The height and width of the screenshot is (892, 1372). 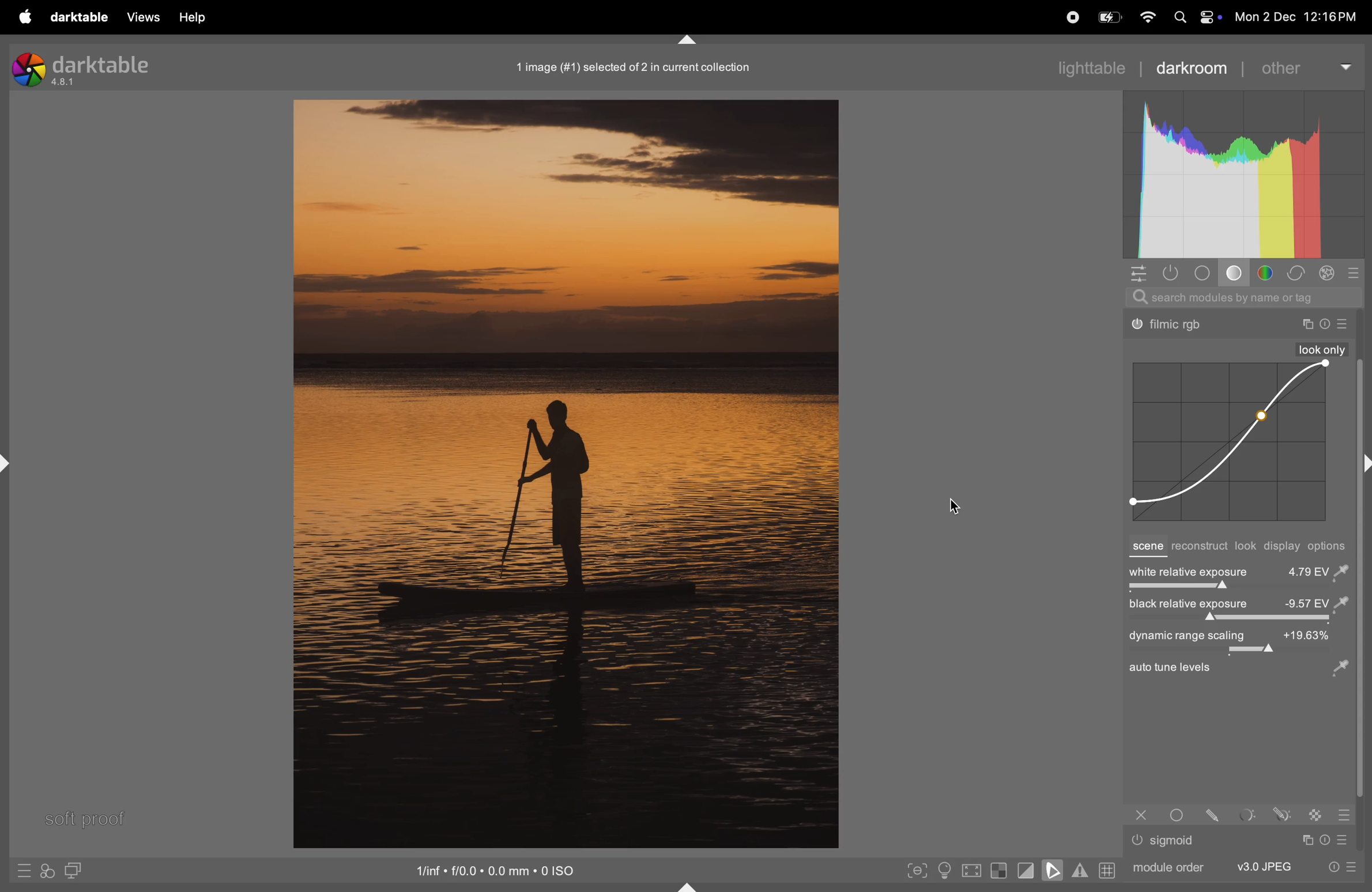 I want to click on , so click(x=1171, y=326).